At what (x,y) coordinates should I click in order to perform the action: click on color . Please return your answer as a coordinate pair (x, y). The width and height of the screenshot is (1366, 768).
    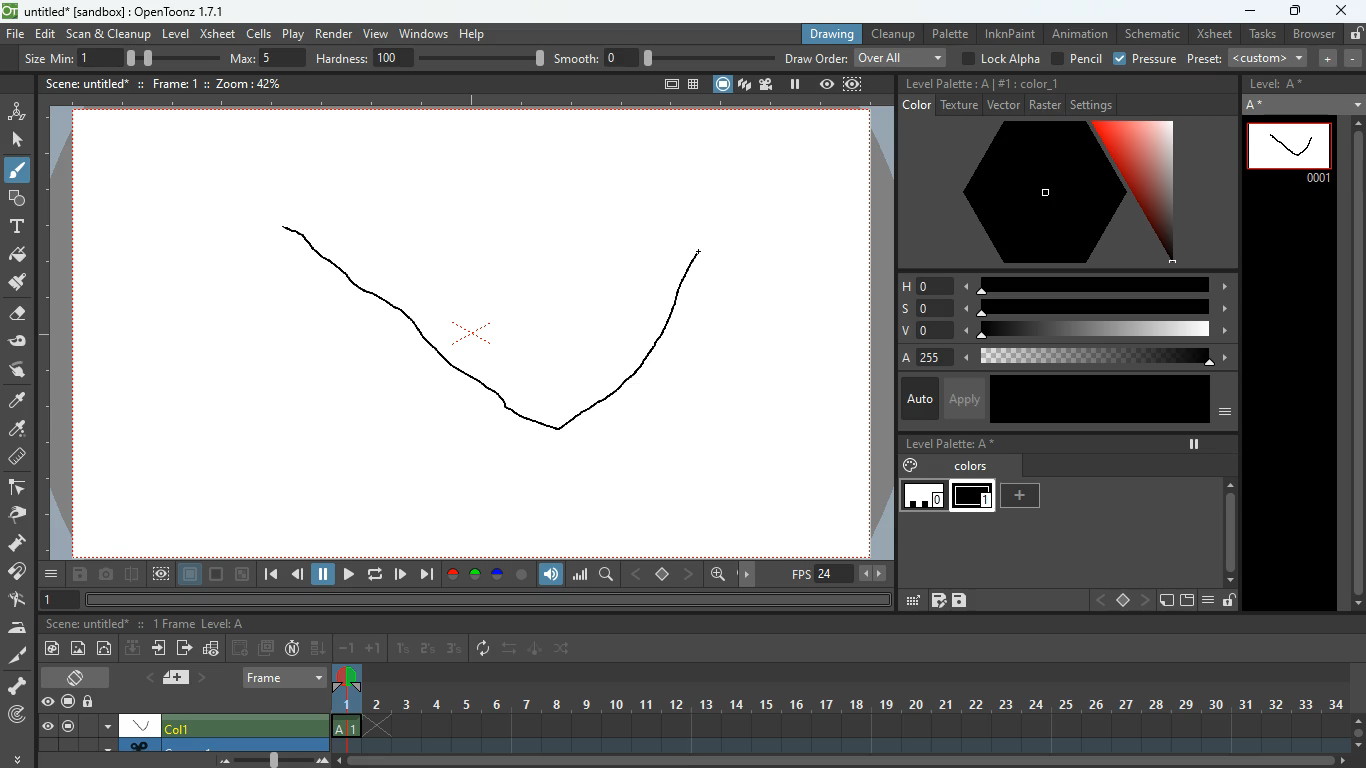
    Looking at the image, I should click on (1098, 400).